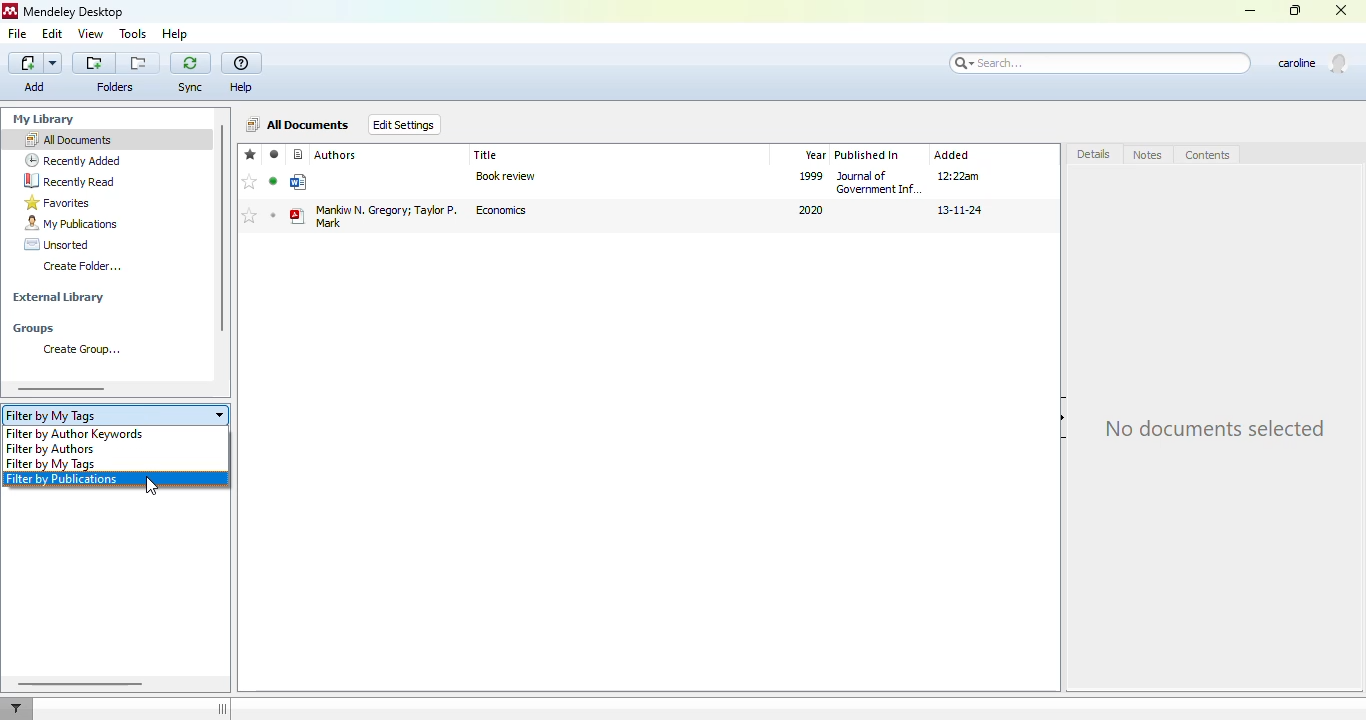 This screenshot has width=1366, height=720. What do you see at coordinates (273, 181) in the screenshot?
I see `mark as read` at bounding box center [273, 181].